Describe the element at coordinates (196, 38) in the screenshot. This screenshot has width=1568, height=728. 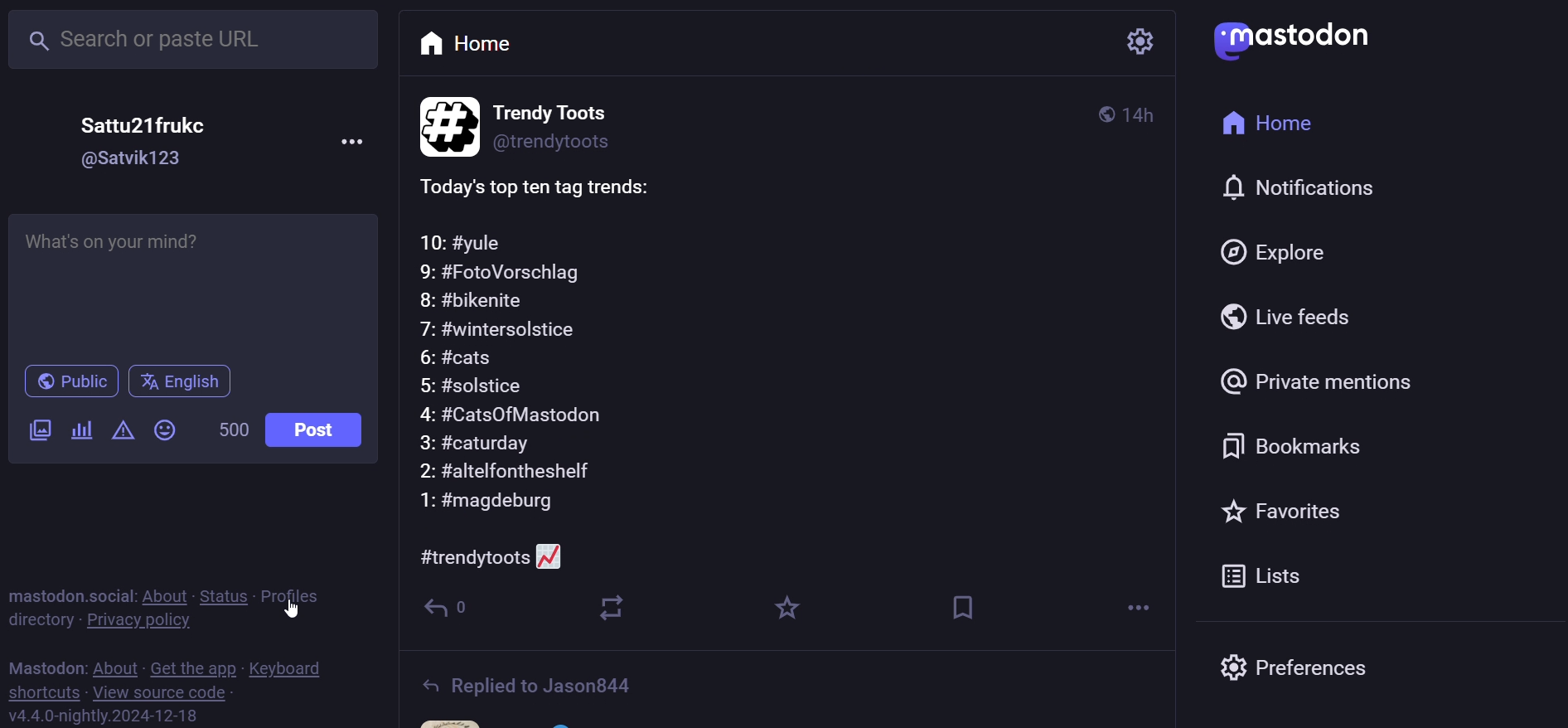
I see `Search or paste URL` at that location.